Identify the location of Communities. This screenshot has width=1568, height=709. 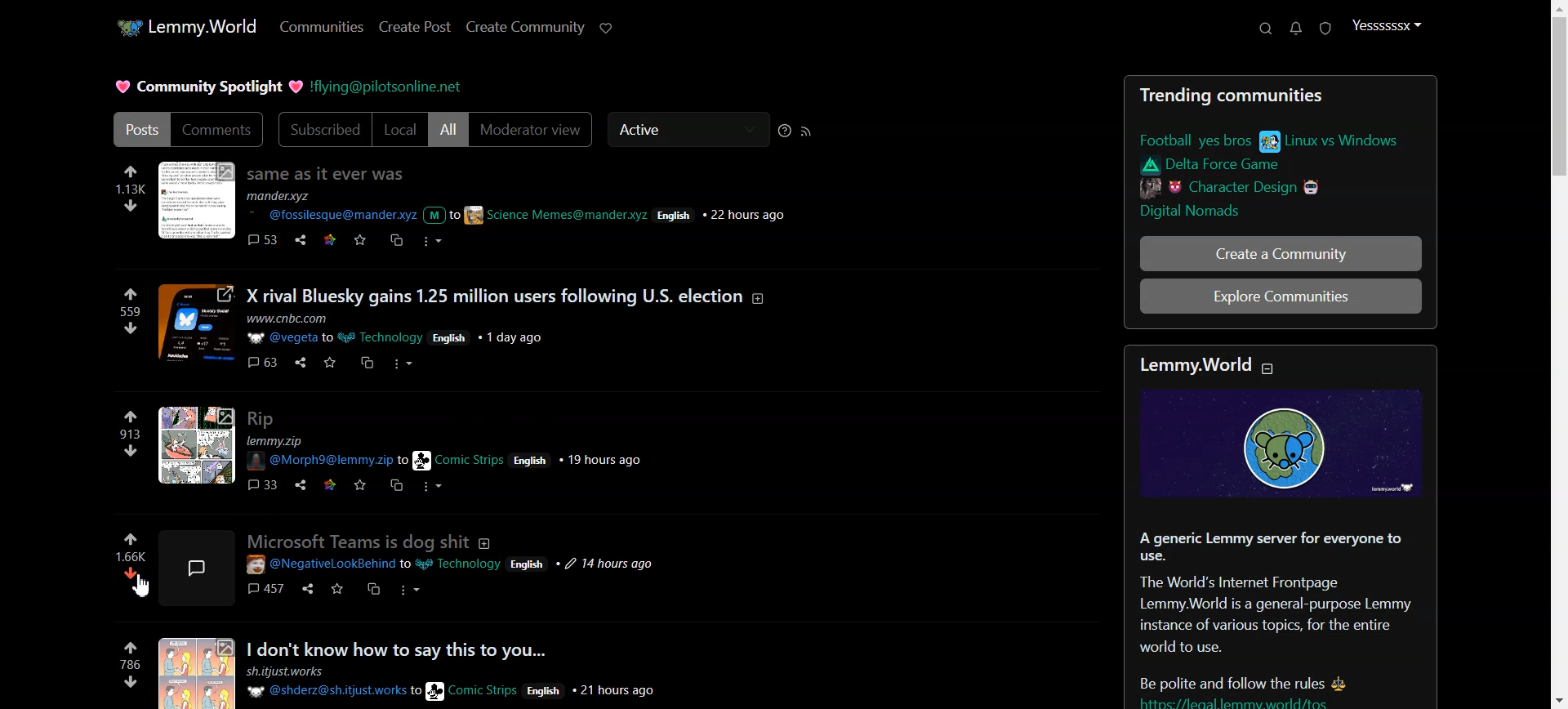
(322, 26).